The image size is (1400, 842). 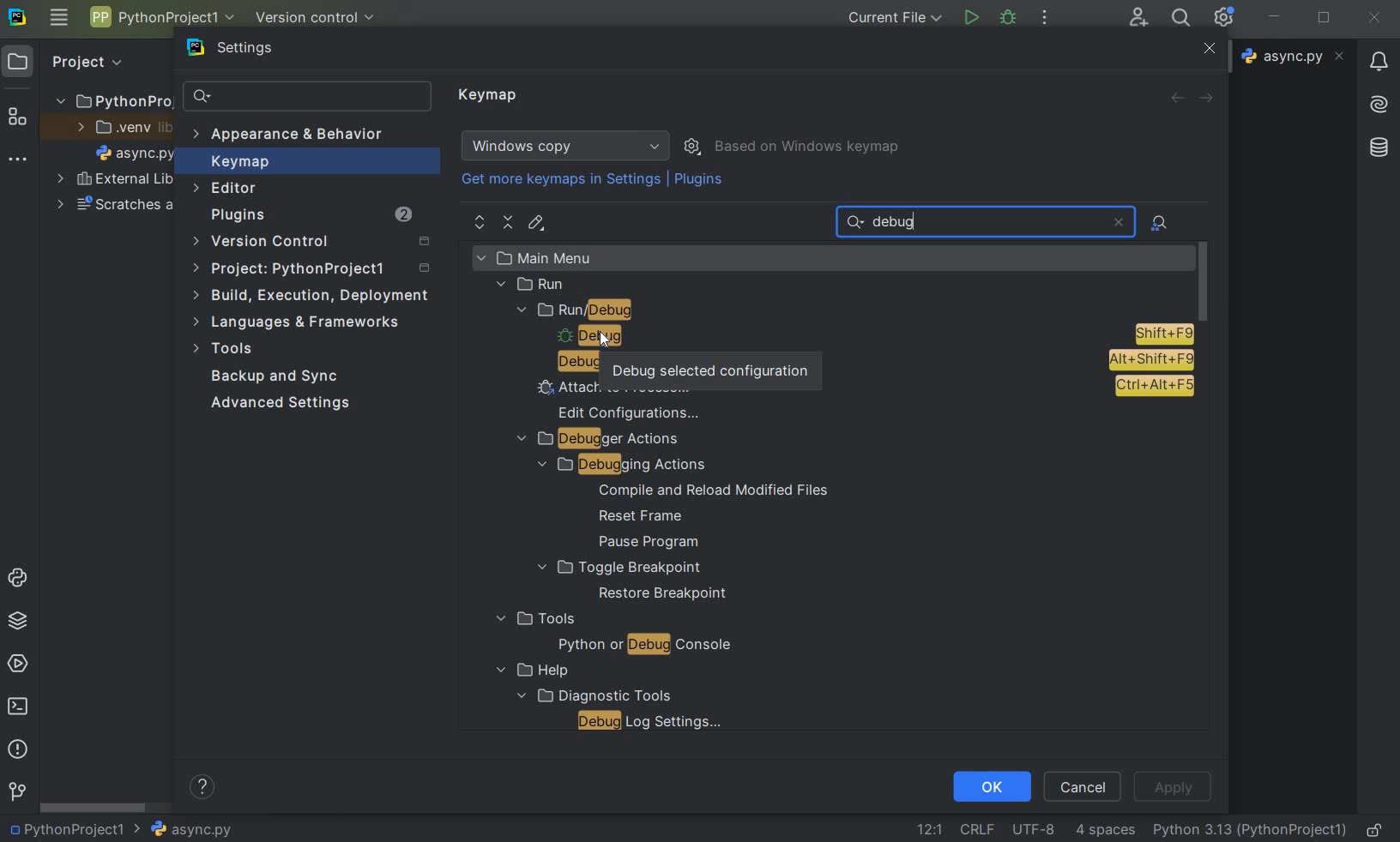 I want to click on settings, so click(x=241, y=51).